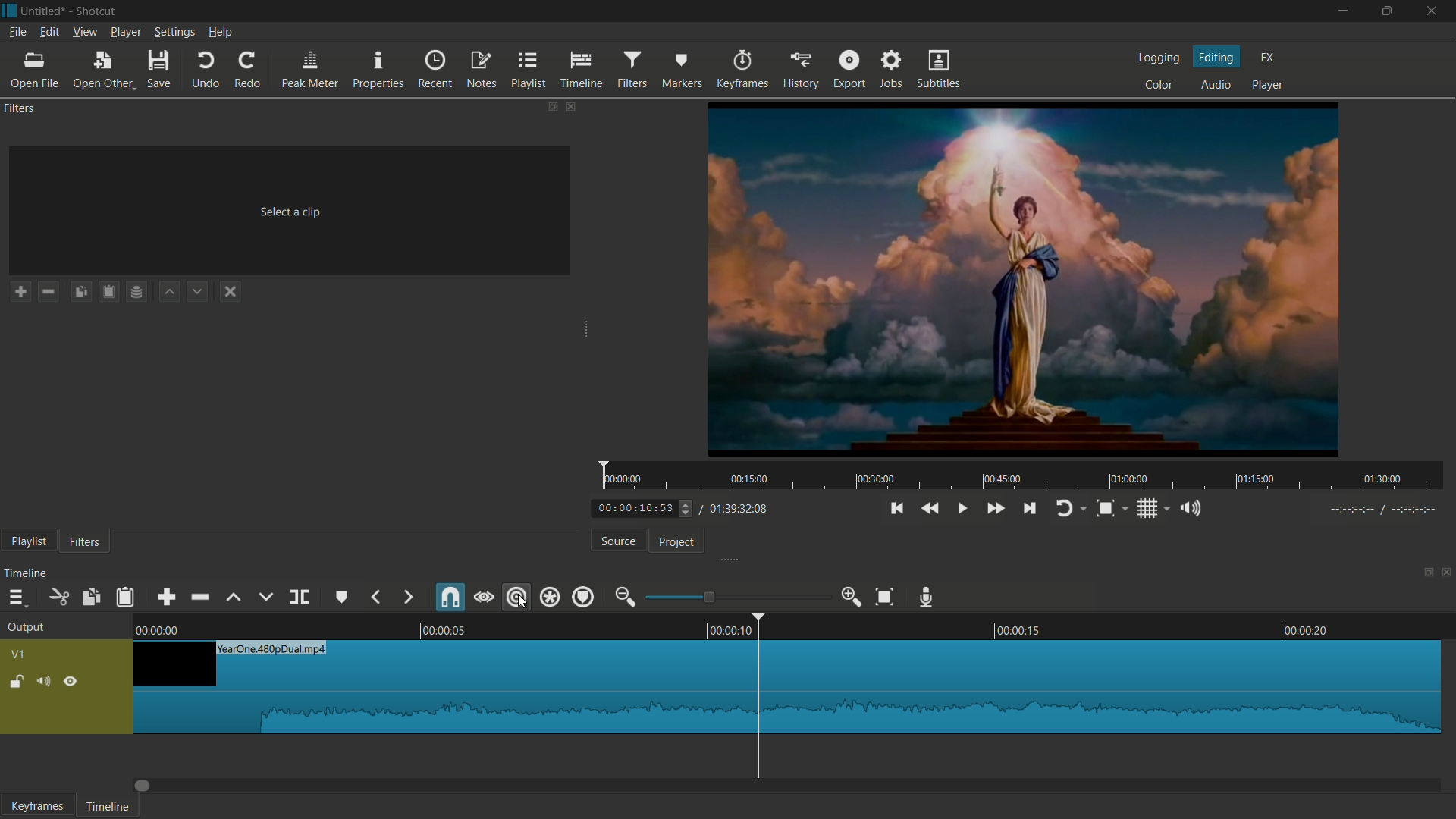  I want to click on change layout, so click(1423, 573).